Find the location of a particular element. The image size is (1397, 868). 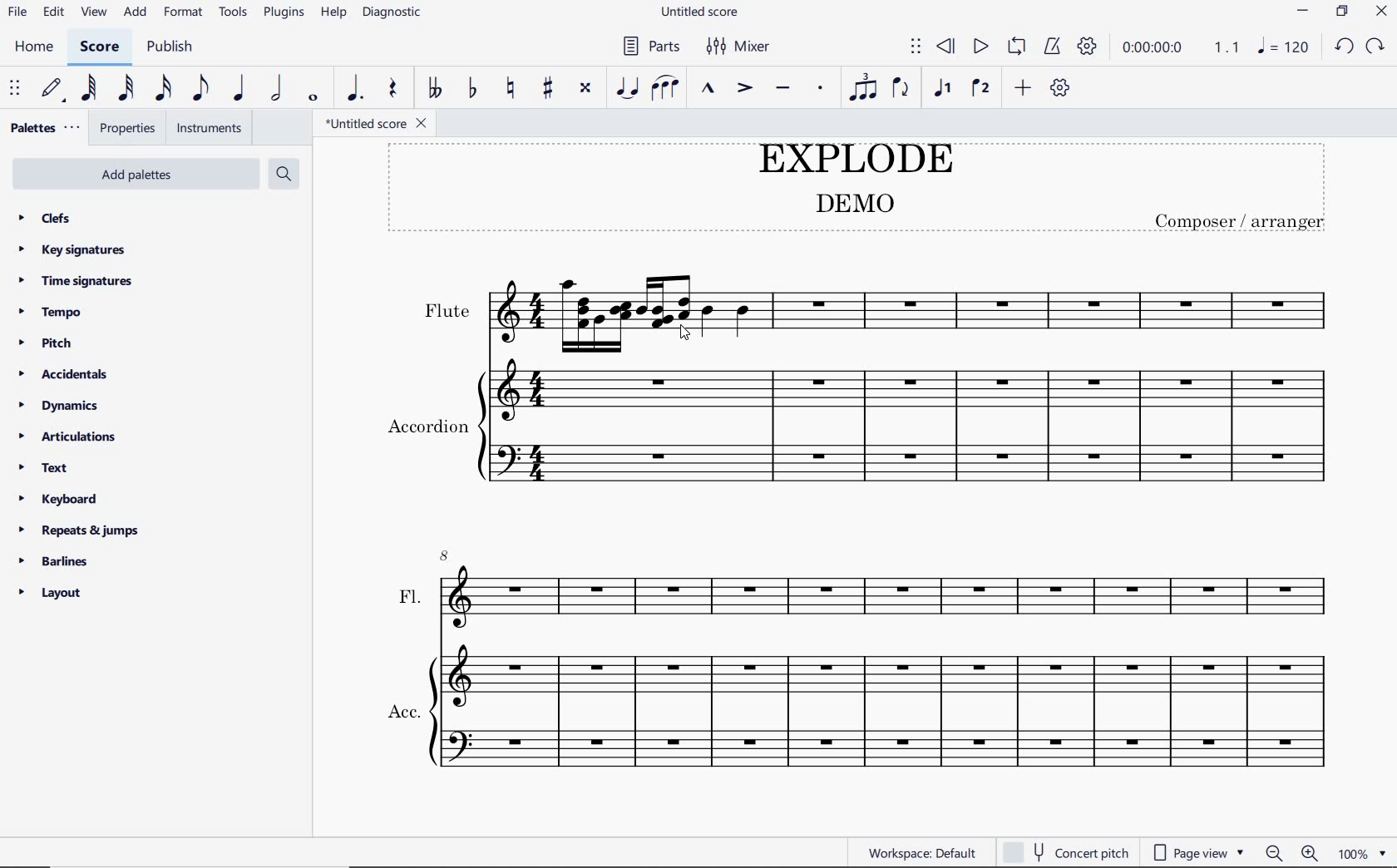

64th note is located at coordinates (89, 89).